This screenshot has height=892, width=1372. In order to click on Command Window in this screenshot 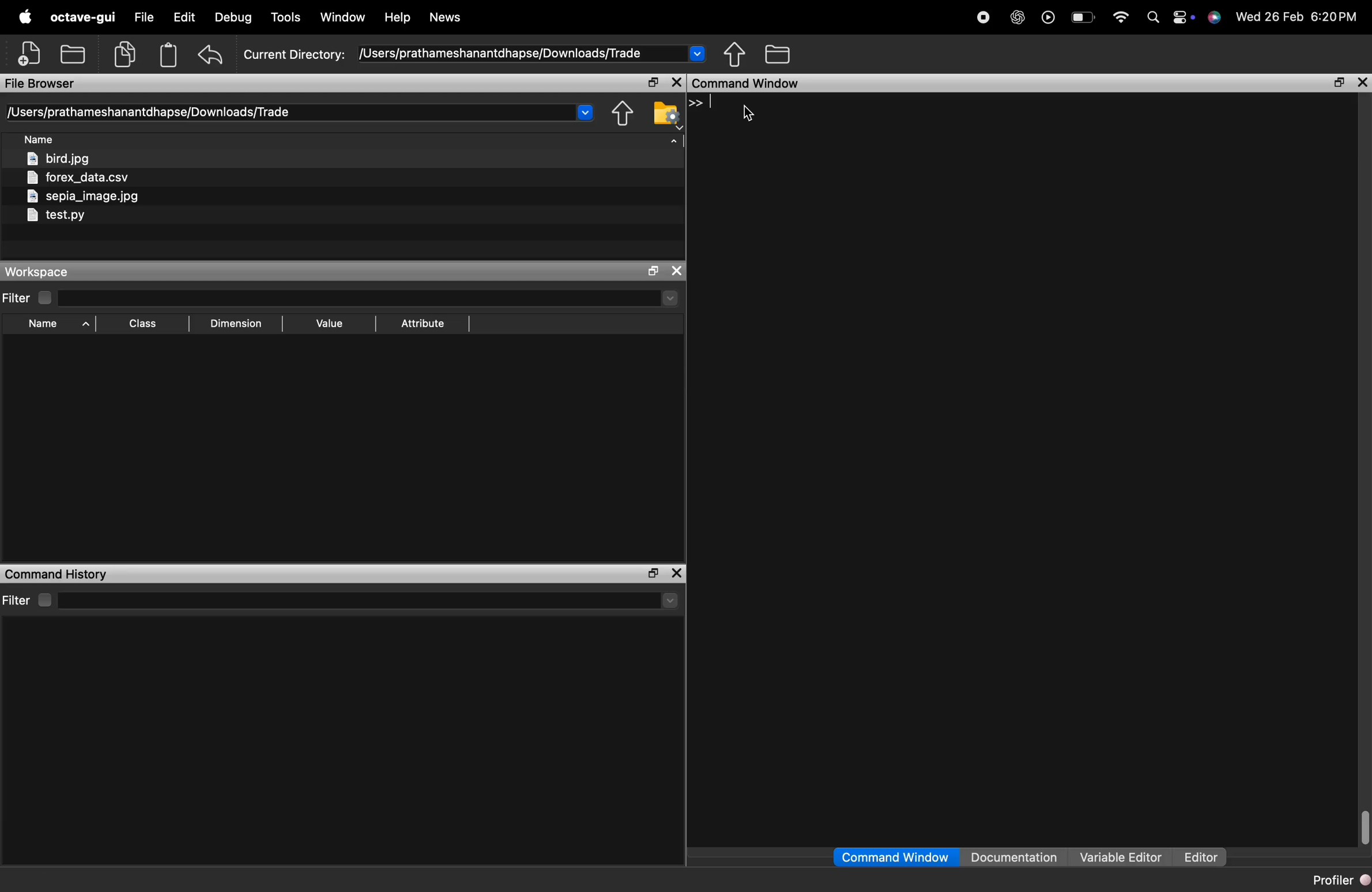, I will do `click(895, 857)`.